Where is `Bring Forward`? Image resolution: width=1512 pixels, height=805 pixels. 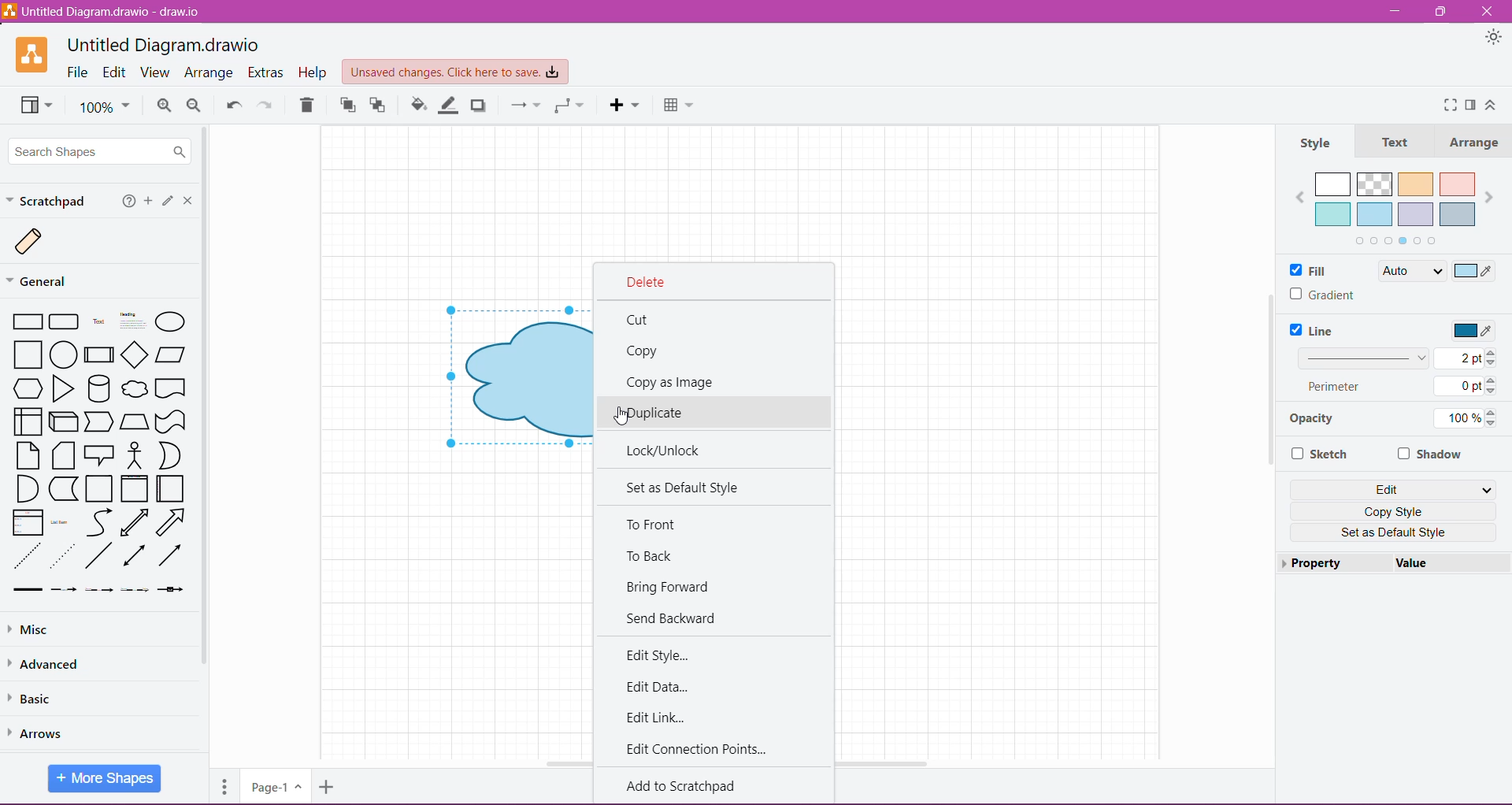 Bring Forward is located at coordinates (678, 589).